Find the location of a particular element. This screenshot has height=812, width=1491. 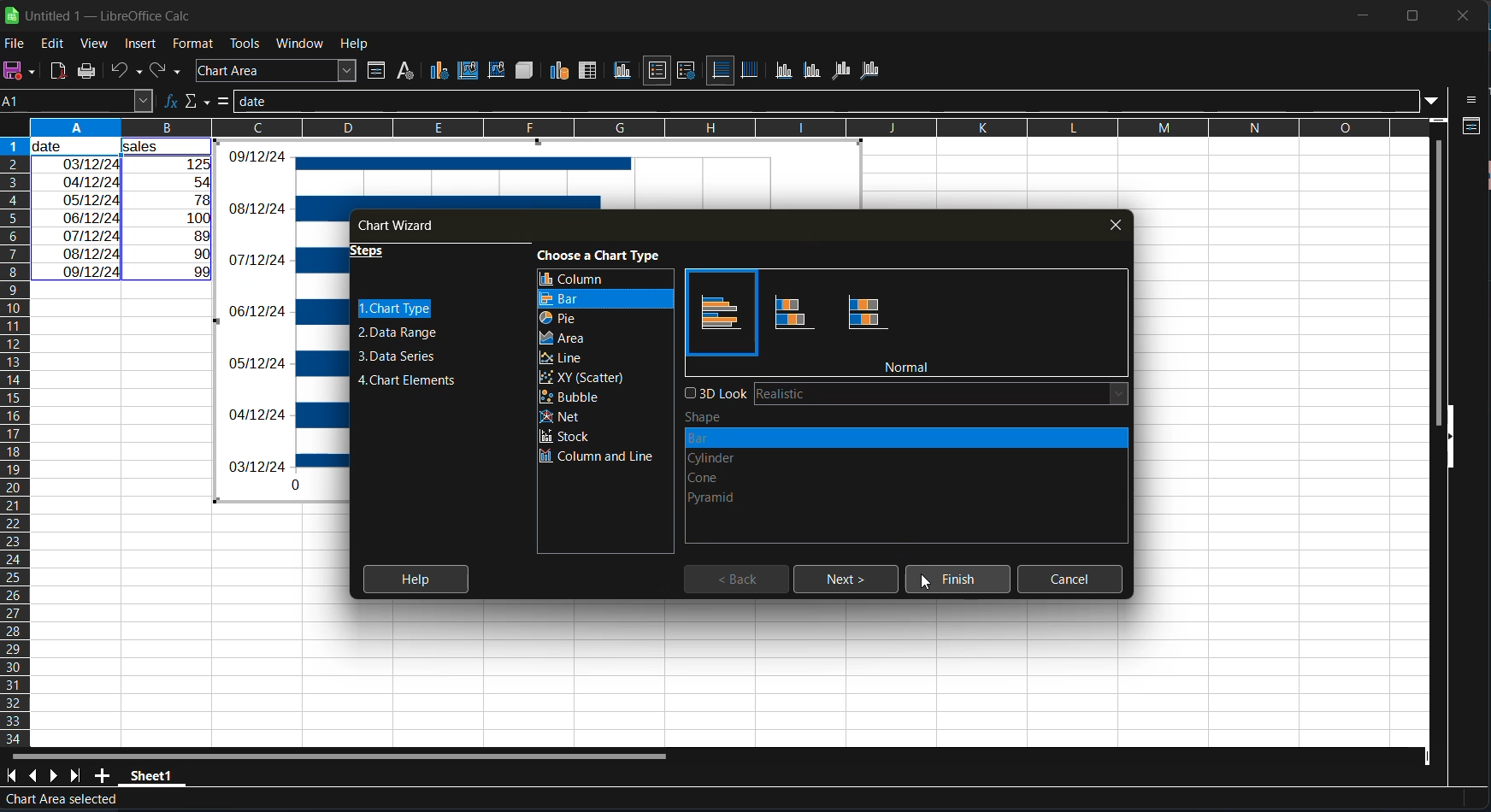

tools is located at coordinates (244, 43).